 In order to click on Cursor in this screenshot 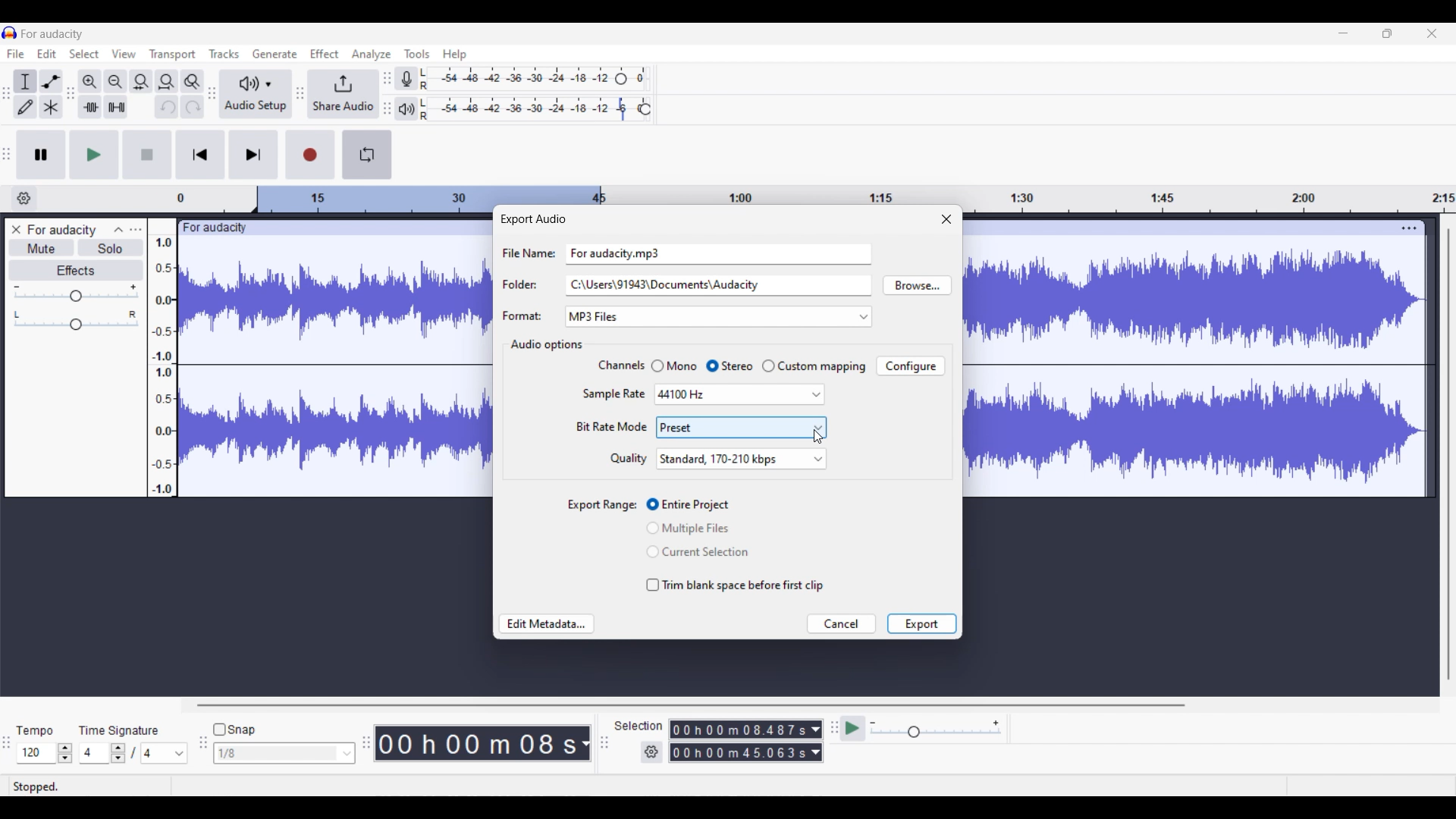, I will do `click(820, 436)`.